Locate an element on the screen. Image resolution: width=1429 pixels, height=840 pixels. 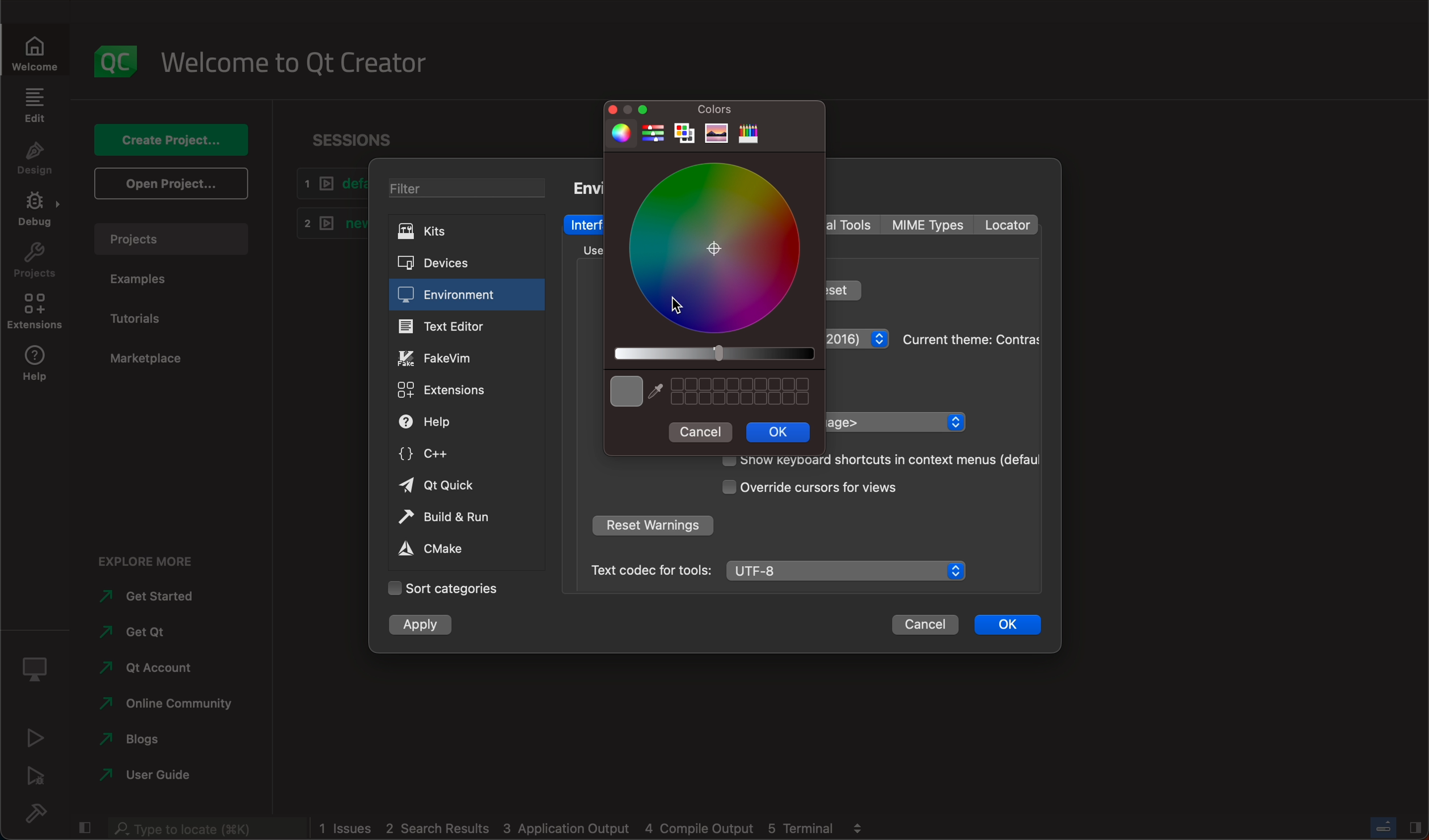
get is located at coordinates (143, 629).